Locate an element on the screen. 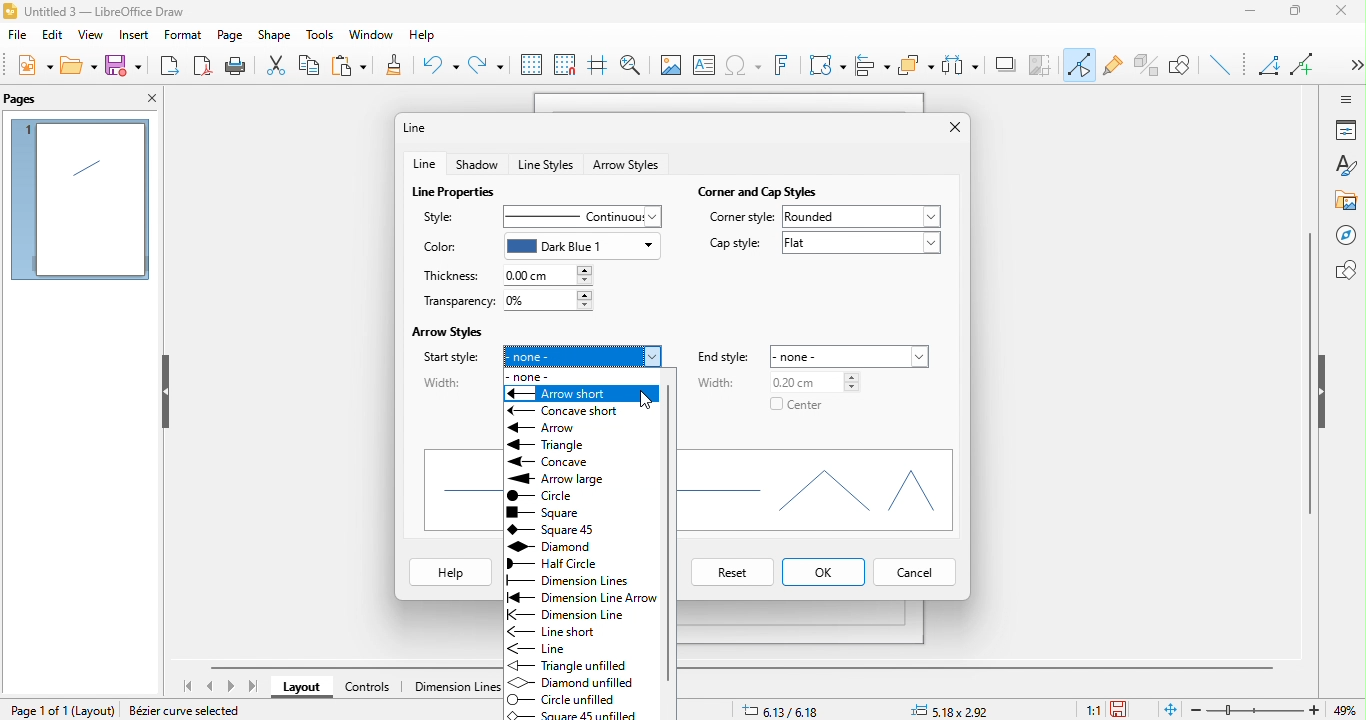 This screenshot has height=720, width=1366. save is located at coordinates (125, 68).